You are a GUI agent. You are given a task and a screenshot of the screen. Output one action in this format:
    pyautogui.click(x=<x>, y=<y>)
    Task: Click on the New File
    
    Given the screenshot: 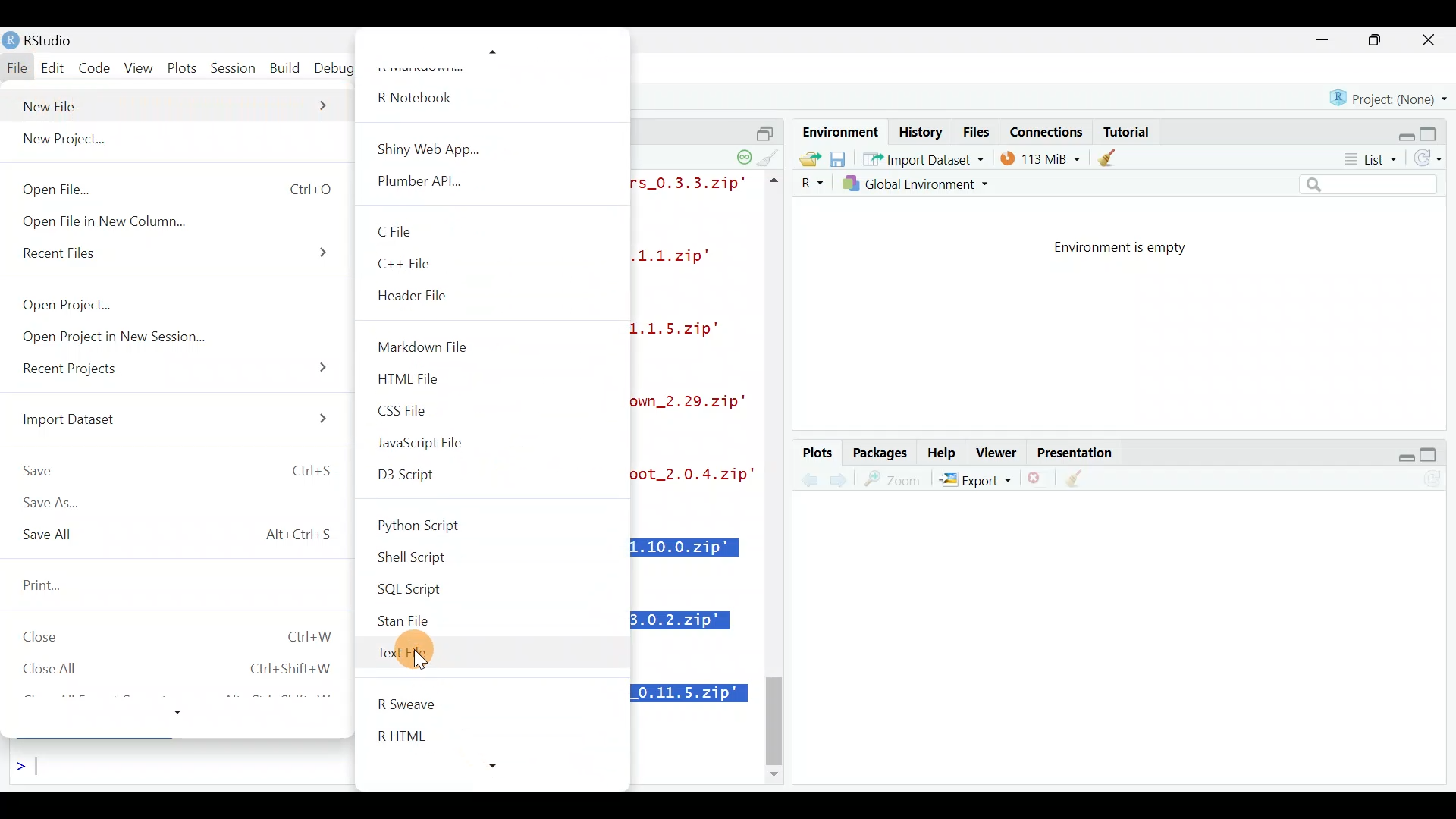 What is the action you would take?
    pyautogui.click(x=177, y=105)
    